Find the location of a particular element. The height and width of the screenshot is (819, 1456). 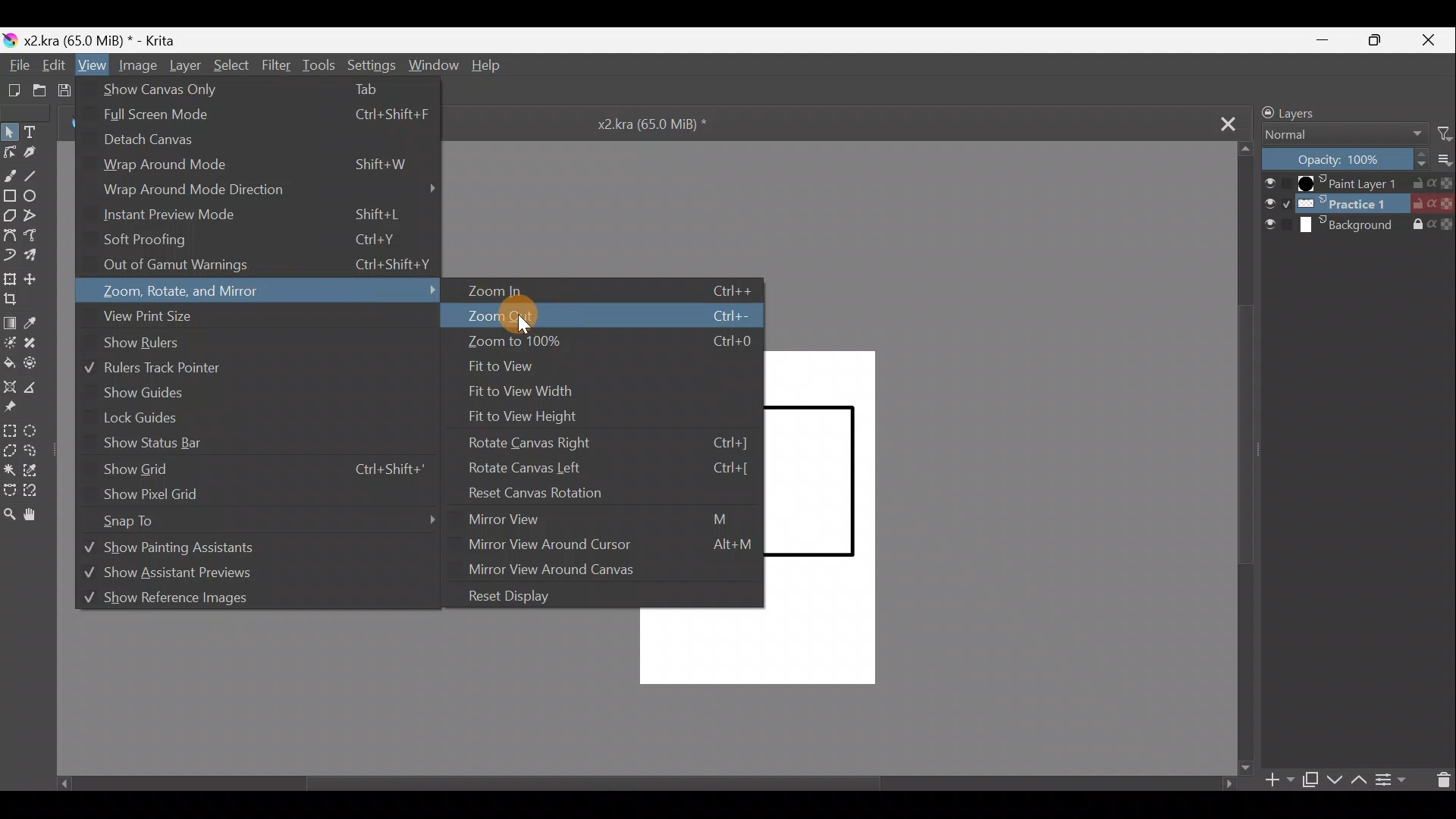

Smart patch tool is located at coordinates (39, 347).